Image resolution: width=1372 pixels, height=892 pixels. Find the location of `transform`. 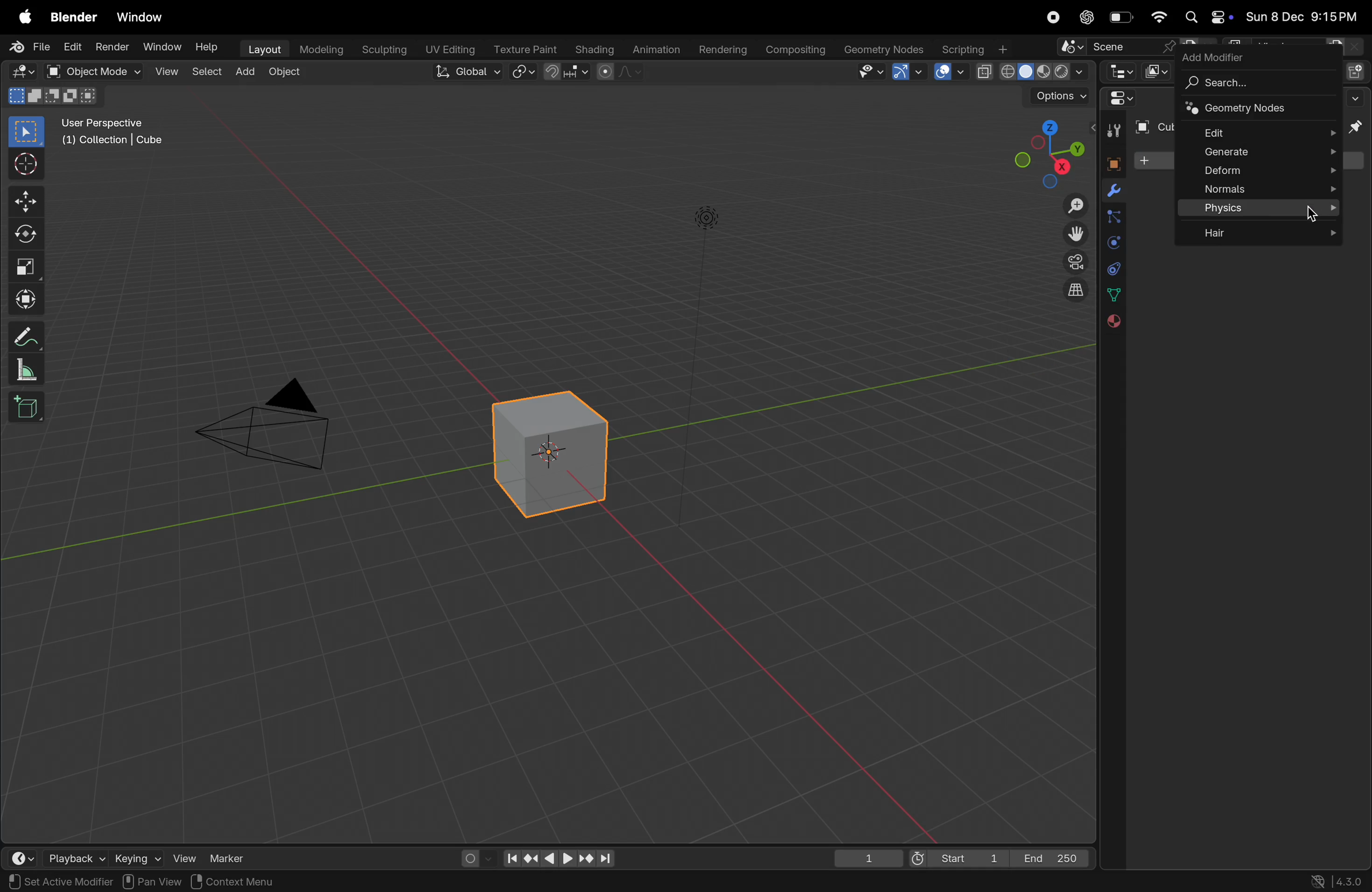

transform is located at coordinates (26, 298).